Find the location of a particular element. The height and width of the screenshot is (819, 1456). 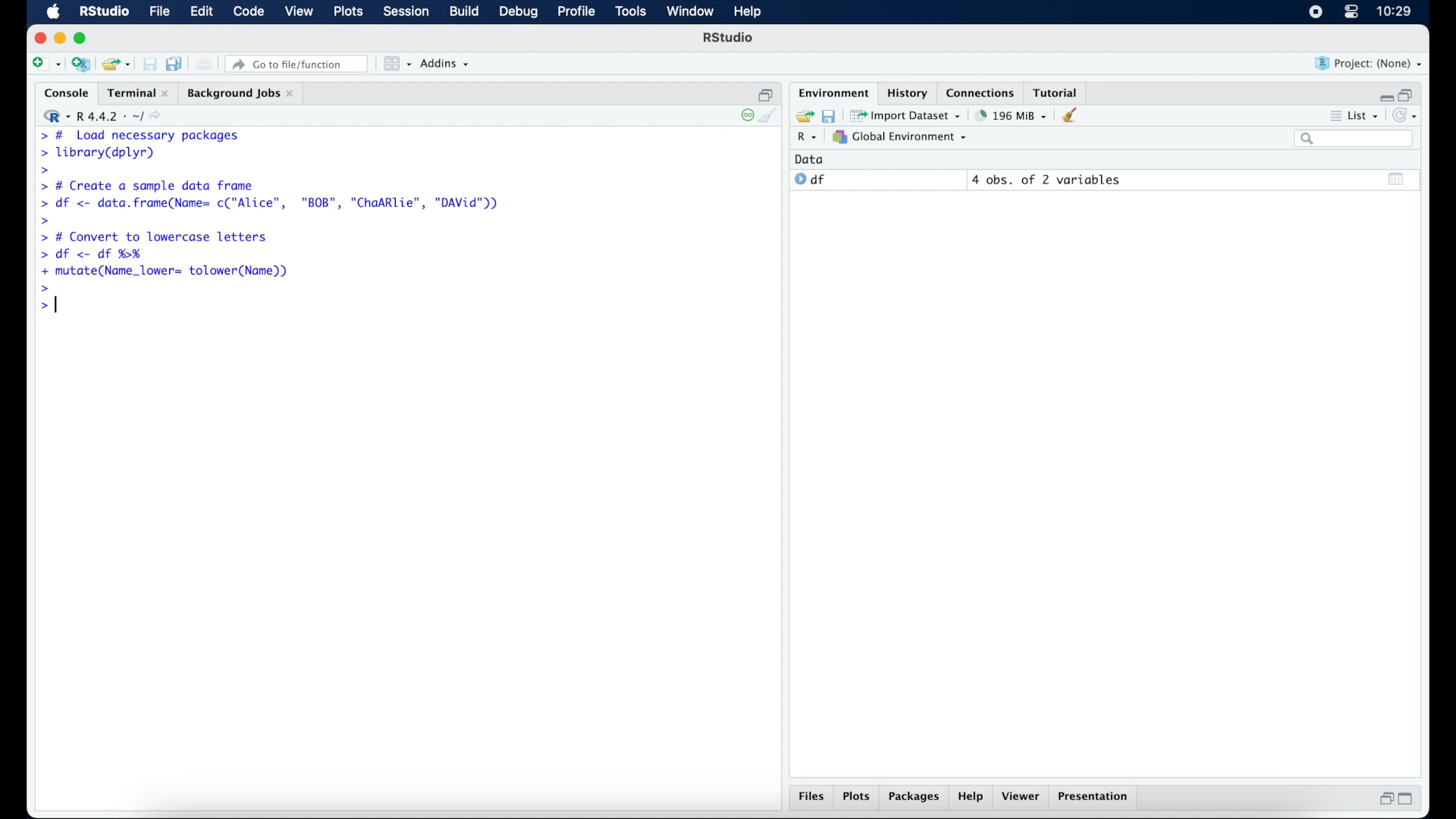

import dataset is located at coordinates (907, 115).